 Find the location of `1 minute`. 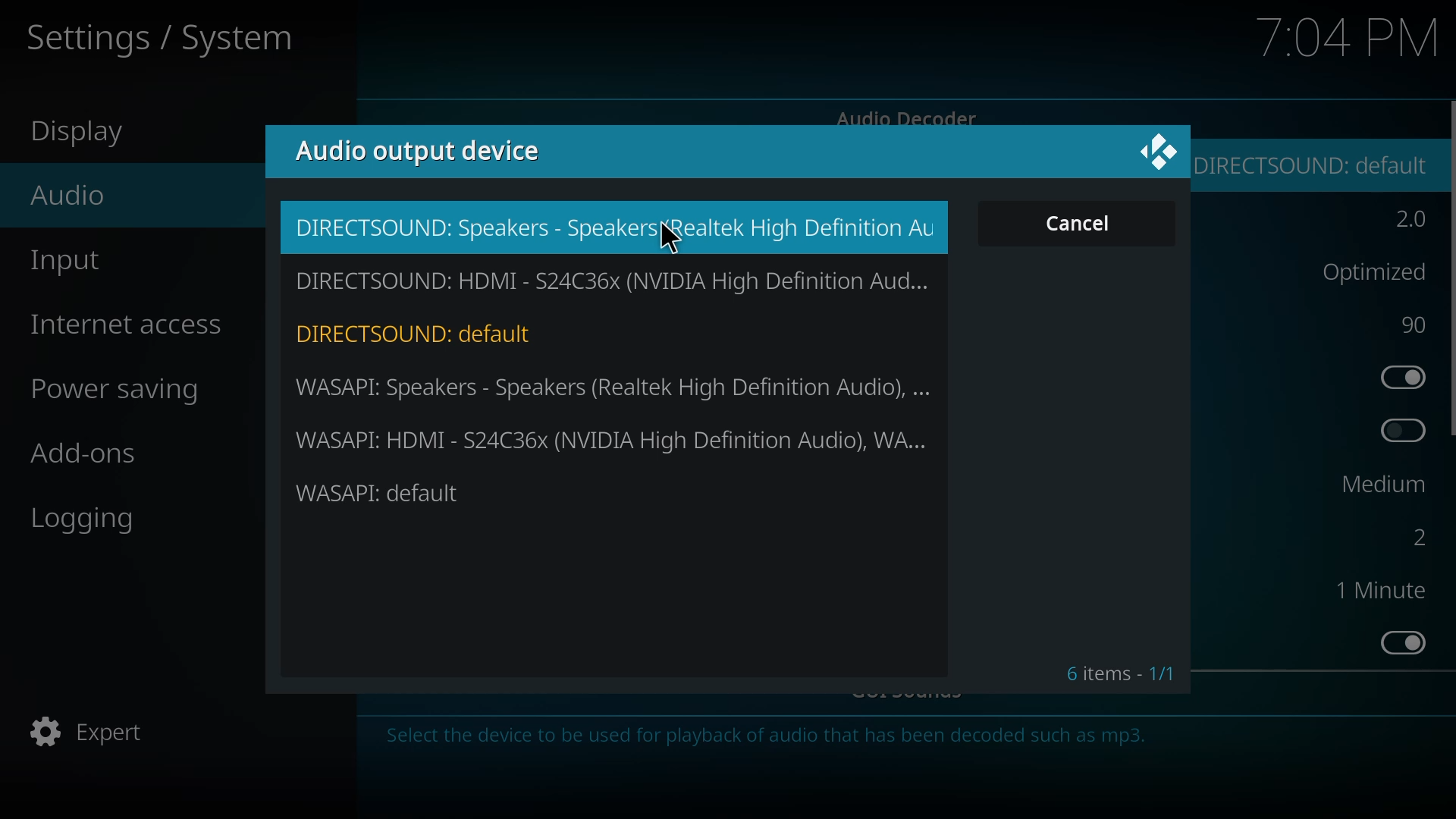

1 minute is located at coordinates (1380, 589).